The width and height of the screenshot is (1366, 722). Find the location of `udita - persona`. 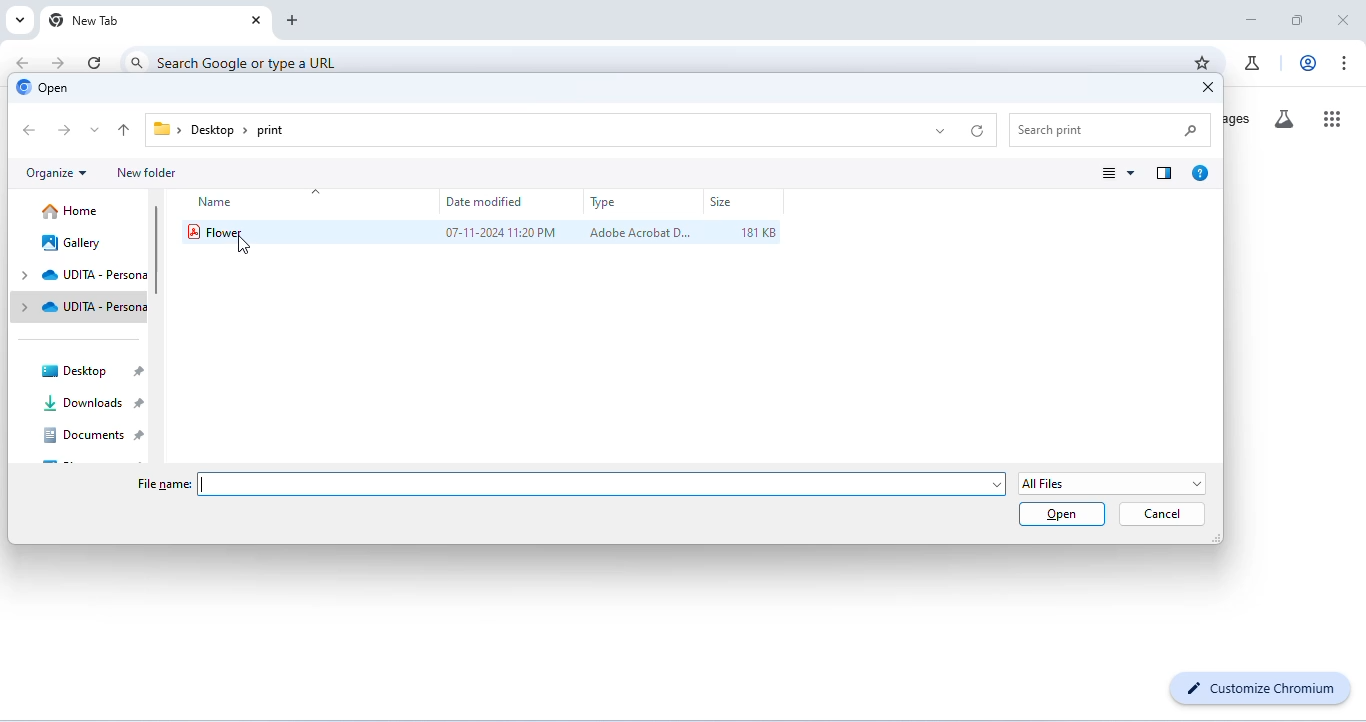

udita - persona is located at coordinates (94, 306).